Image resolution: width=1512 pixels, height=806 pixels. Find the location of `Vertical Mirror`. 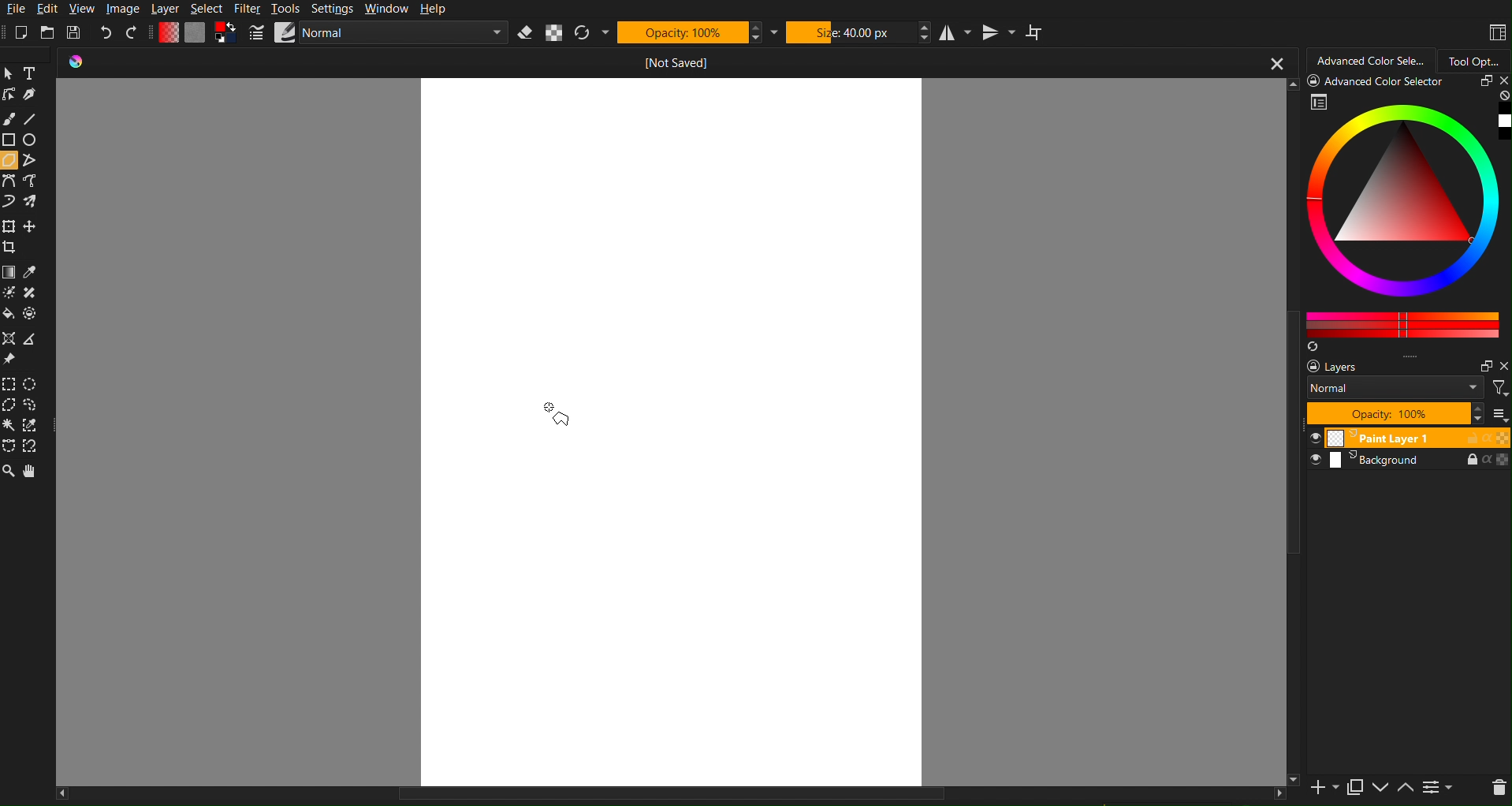

Vertical Mirror is located at coordinates (998, 33).